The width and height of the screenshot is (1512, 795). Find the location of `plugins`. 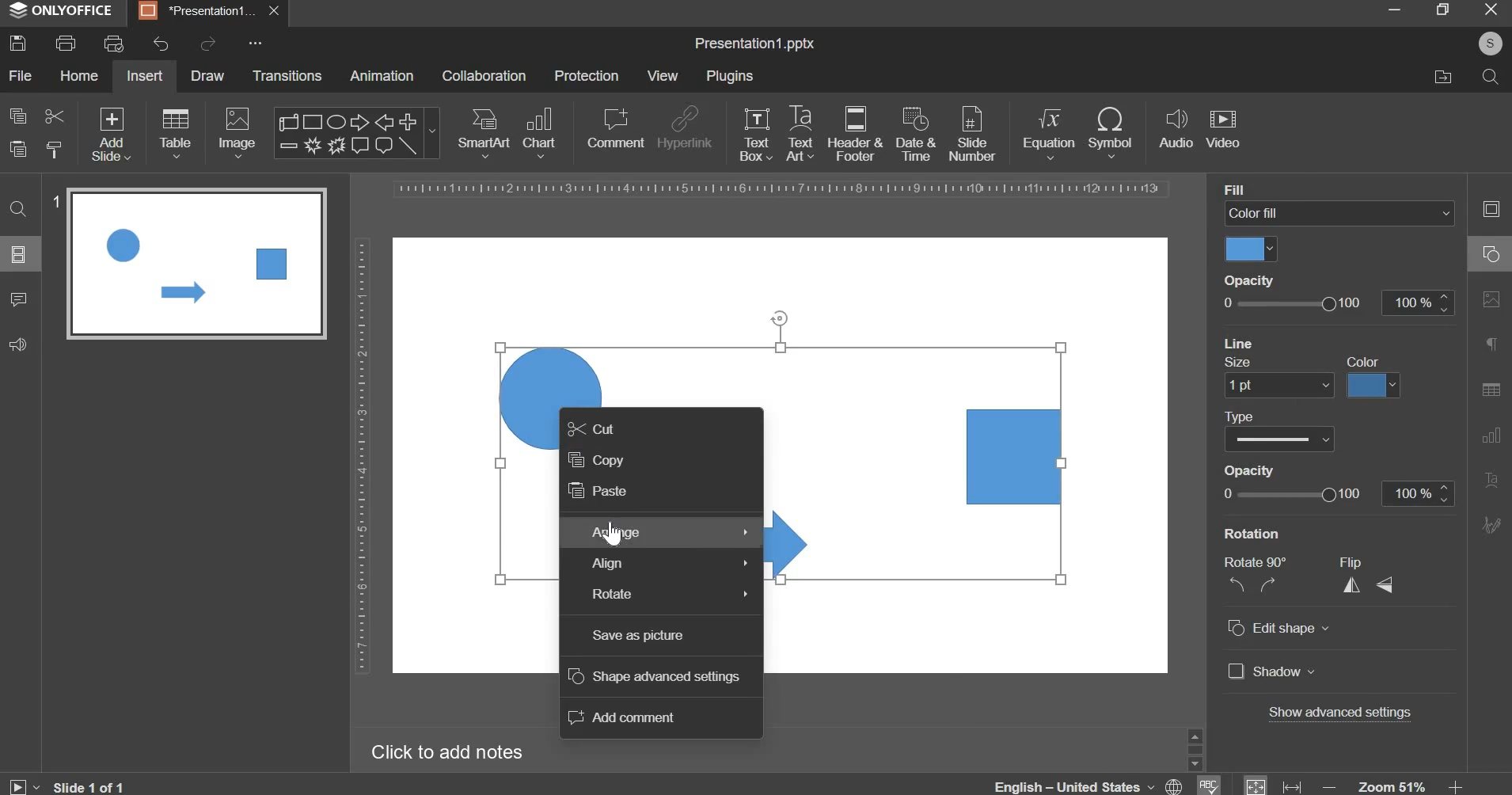

plugins is located at coordinates (729, 76).